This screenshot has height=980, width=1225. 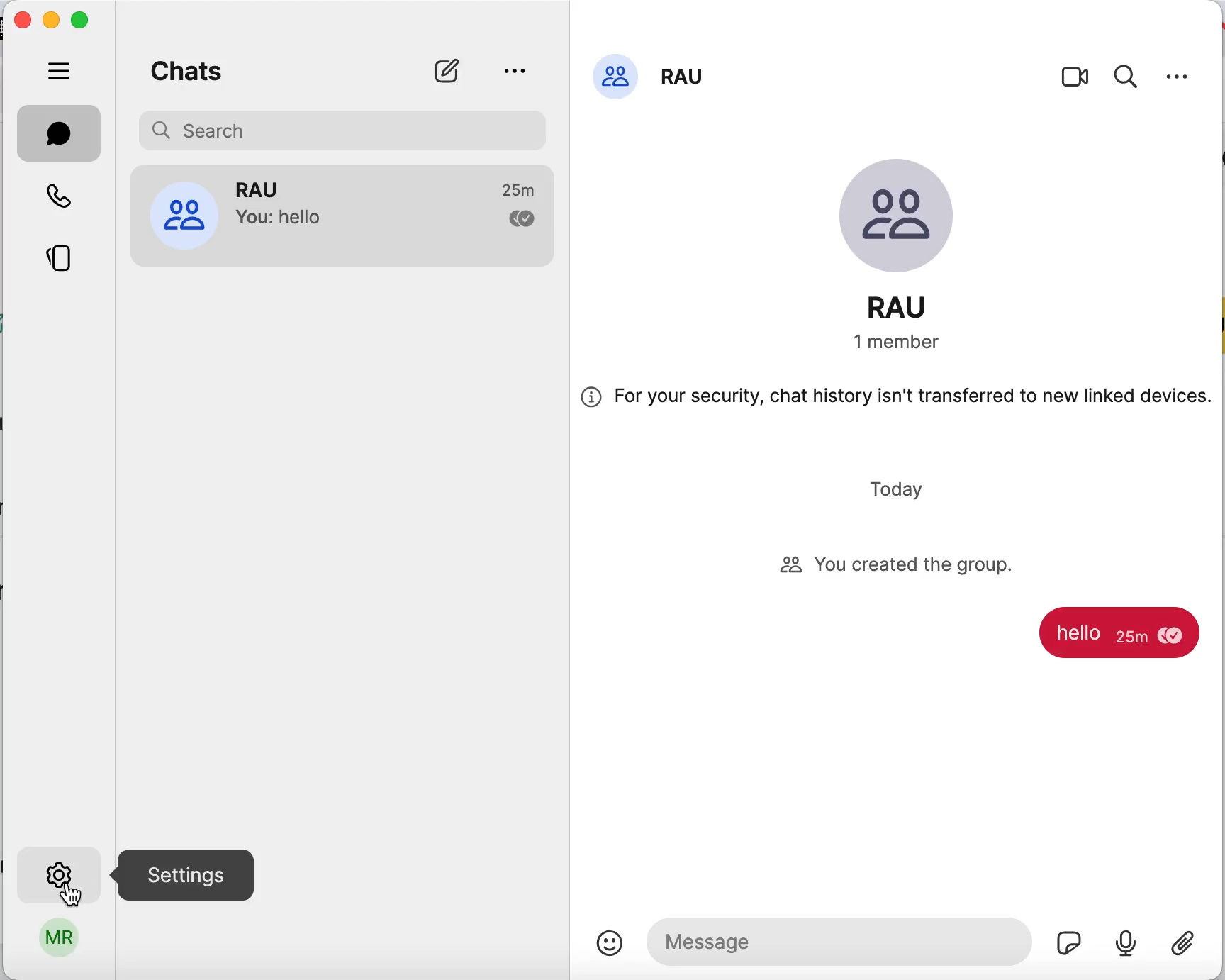 What do you see at coordinates (1191, 951) in the screenshot?
I see `attach` at bounding box center [1191, 951].